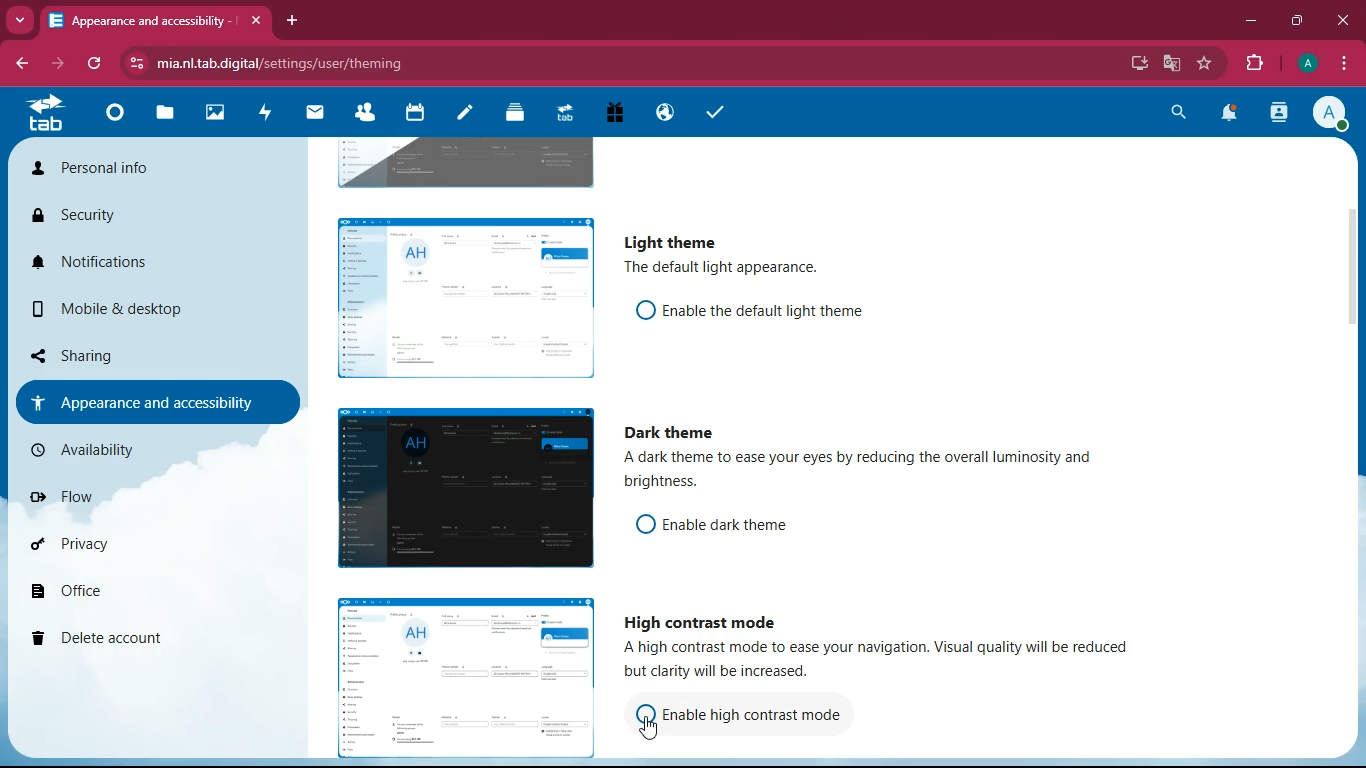 The image size is (1366, 768). What do you see at coordinates (1180, 114) in the screenshot?
I see `search` at bounding box center [1180, 114].